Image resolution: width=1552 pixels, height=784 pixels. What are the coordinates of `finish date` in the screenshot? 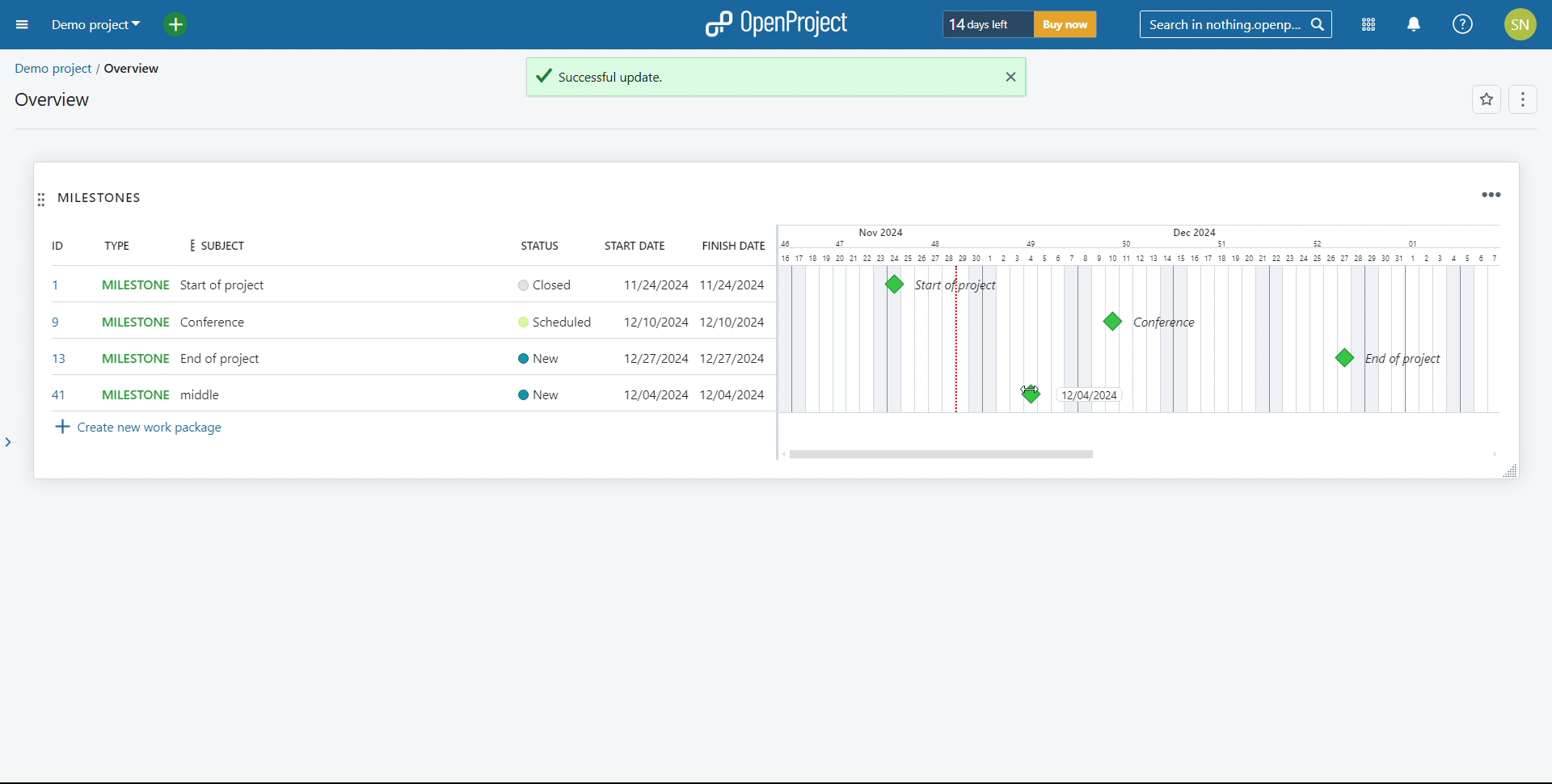 It's located at (731, 245).